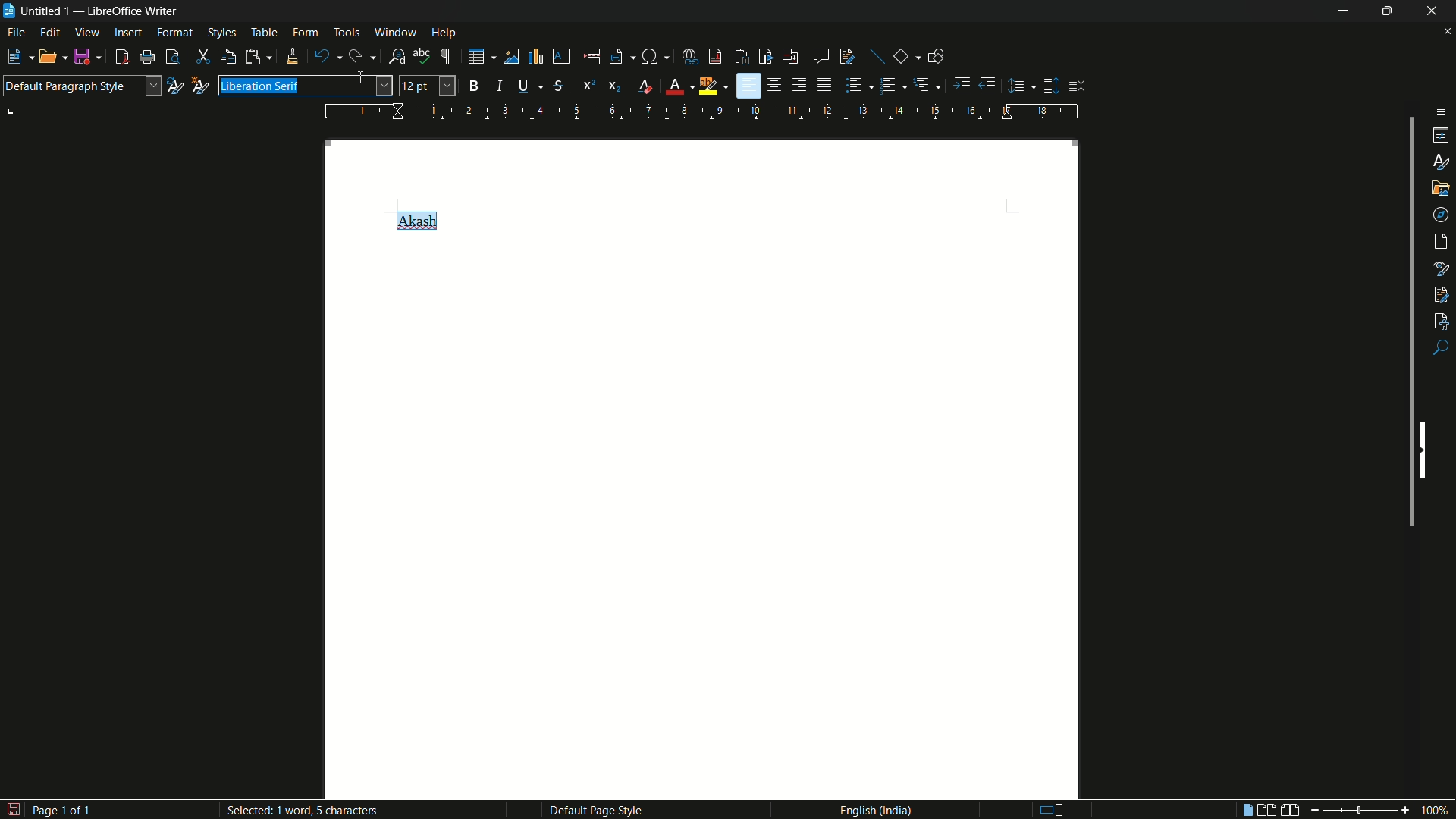  Describe the element at coordinates (422, 56) in the screenshot. I see `check spelling` at that location.